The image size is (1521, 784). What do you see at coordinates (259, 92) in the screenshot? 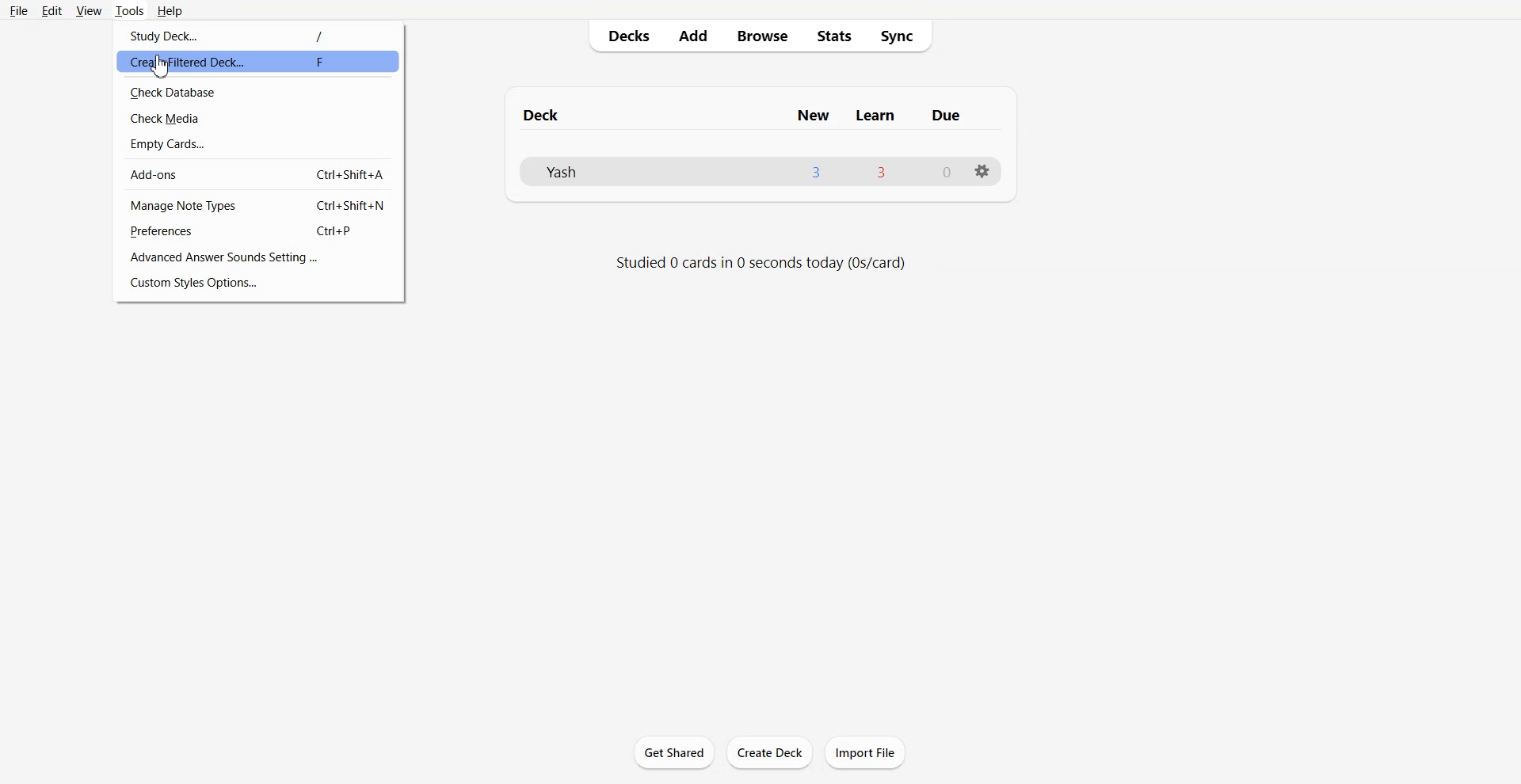
I see `Check Database` at bounding box center [259, 92].